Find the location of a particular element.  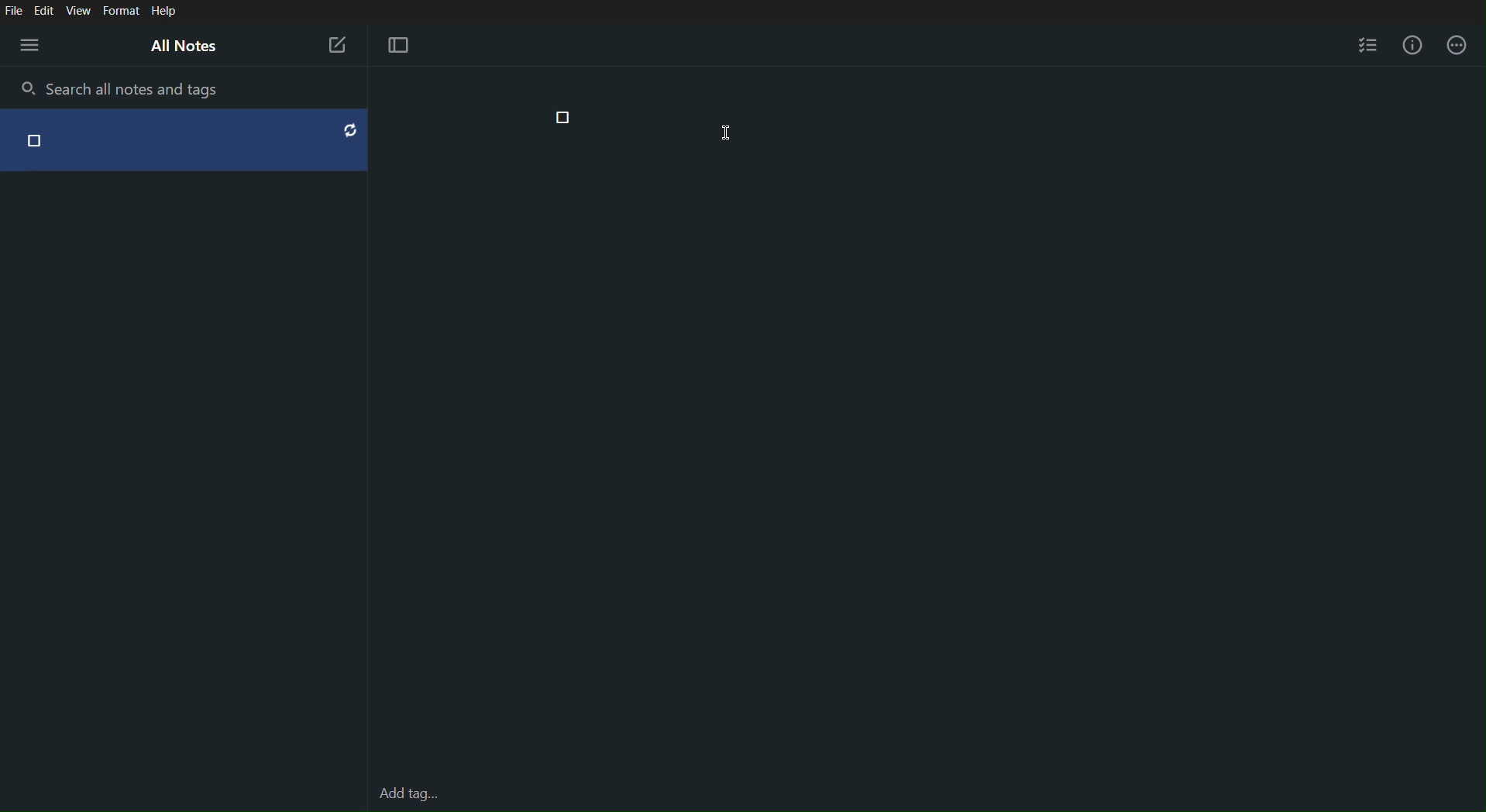

Cursor is located at coordinates (728, 132).